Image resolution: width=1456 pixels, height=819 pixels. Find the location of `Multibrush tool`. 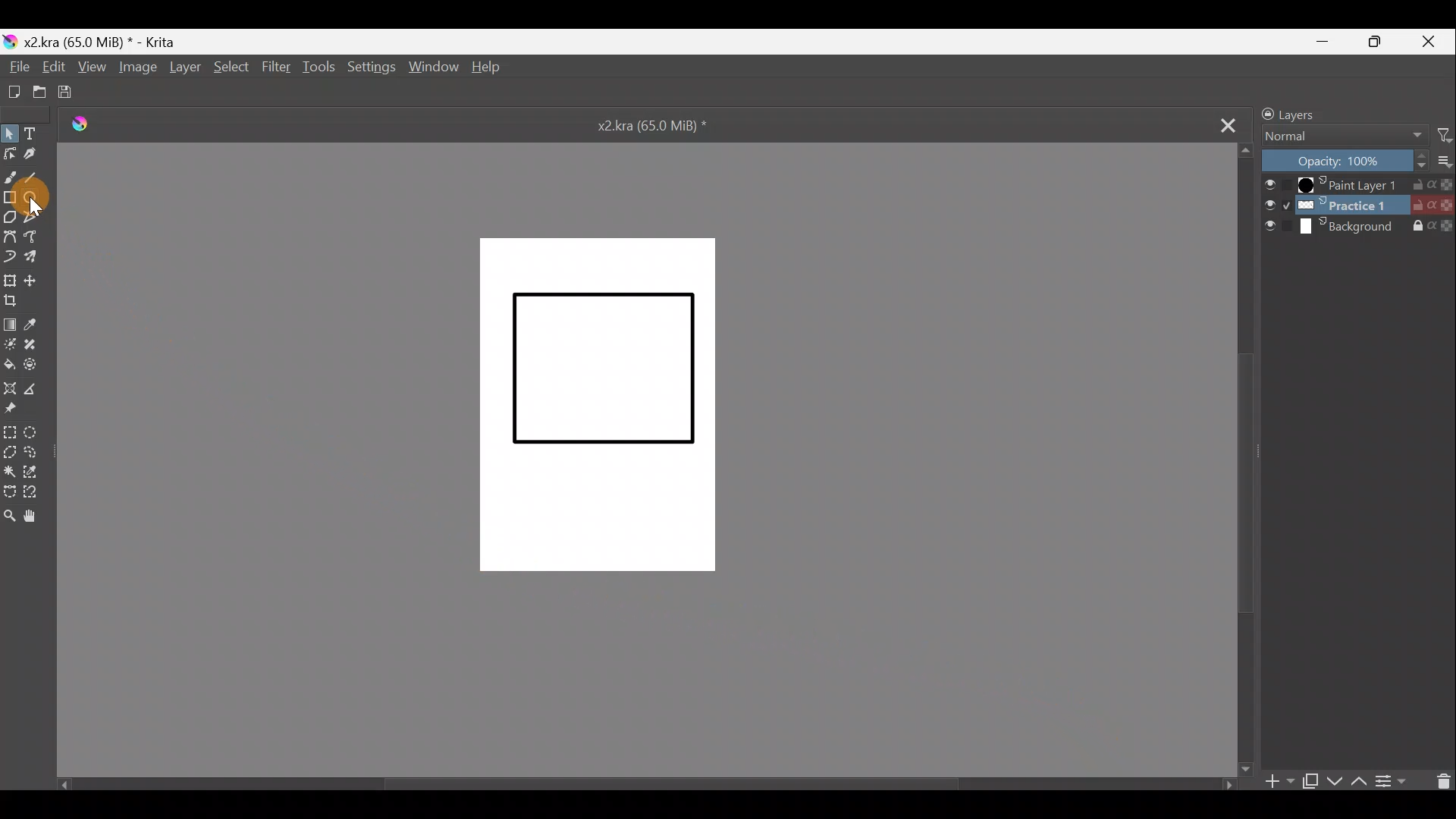

Multibrush tool is located at coordinates (35, 256).